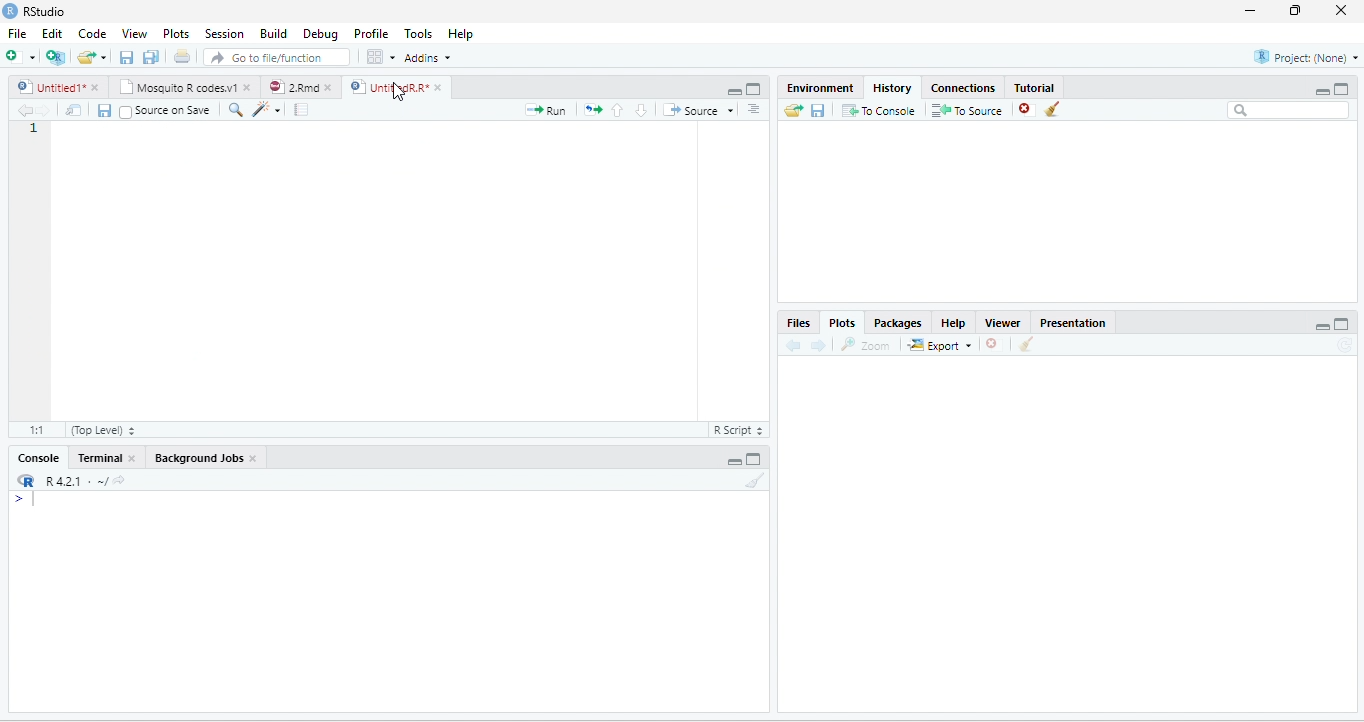  Describe the element at coordinates (277, 56) in the screenshot. I see `Go to file/function` at that location.